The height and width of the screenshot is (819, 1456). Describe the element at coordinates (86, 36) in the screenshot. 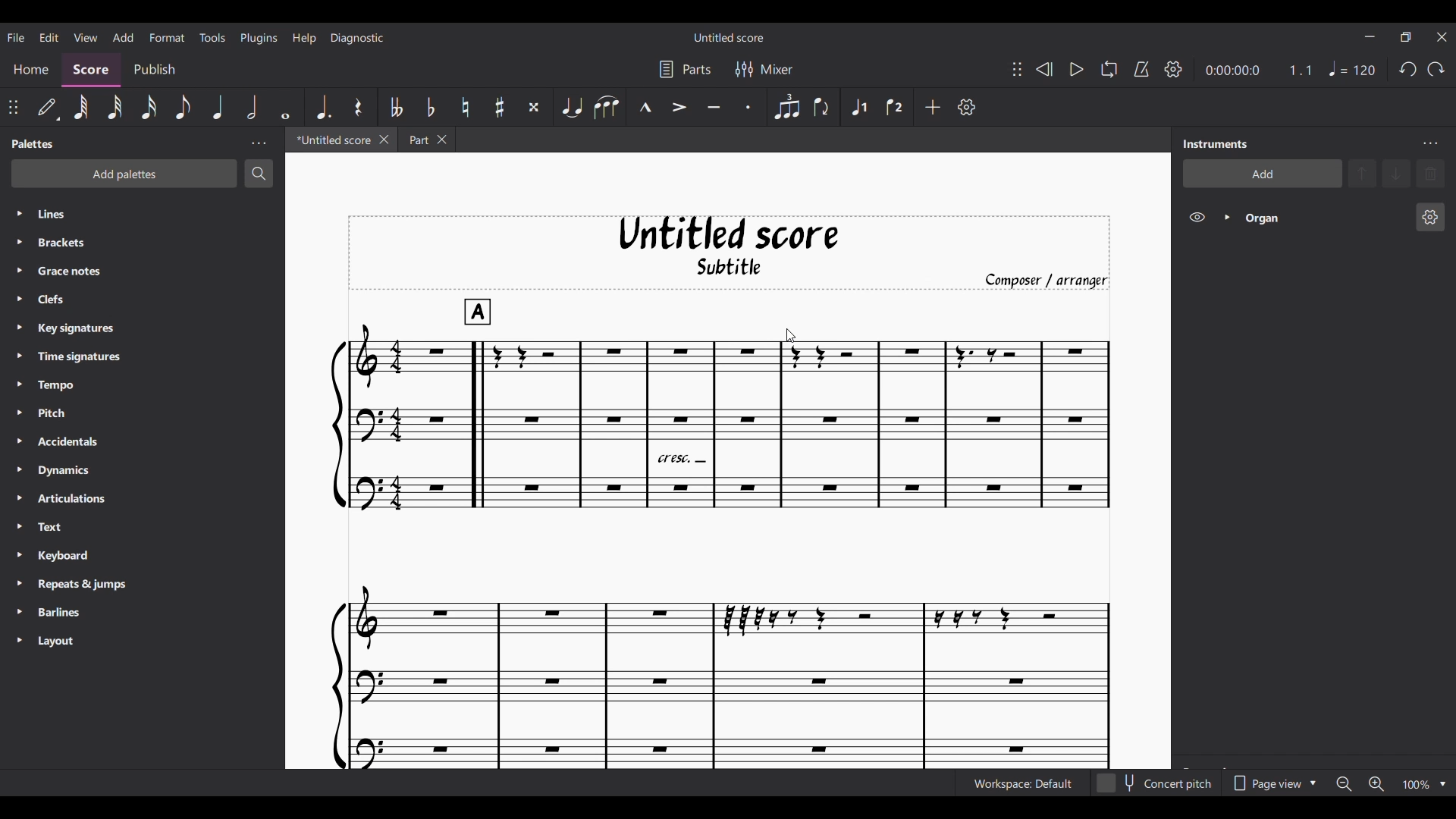

I see `View menu` at that location.